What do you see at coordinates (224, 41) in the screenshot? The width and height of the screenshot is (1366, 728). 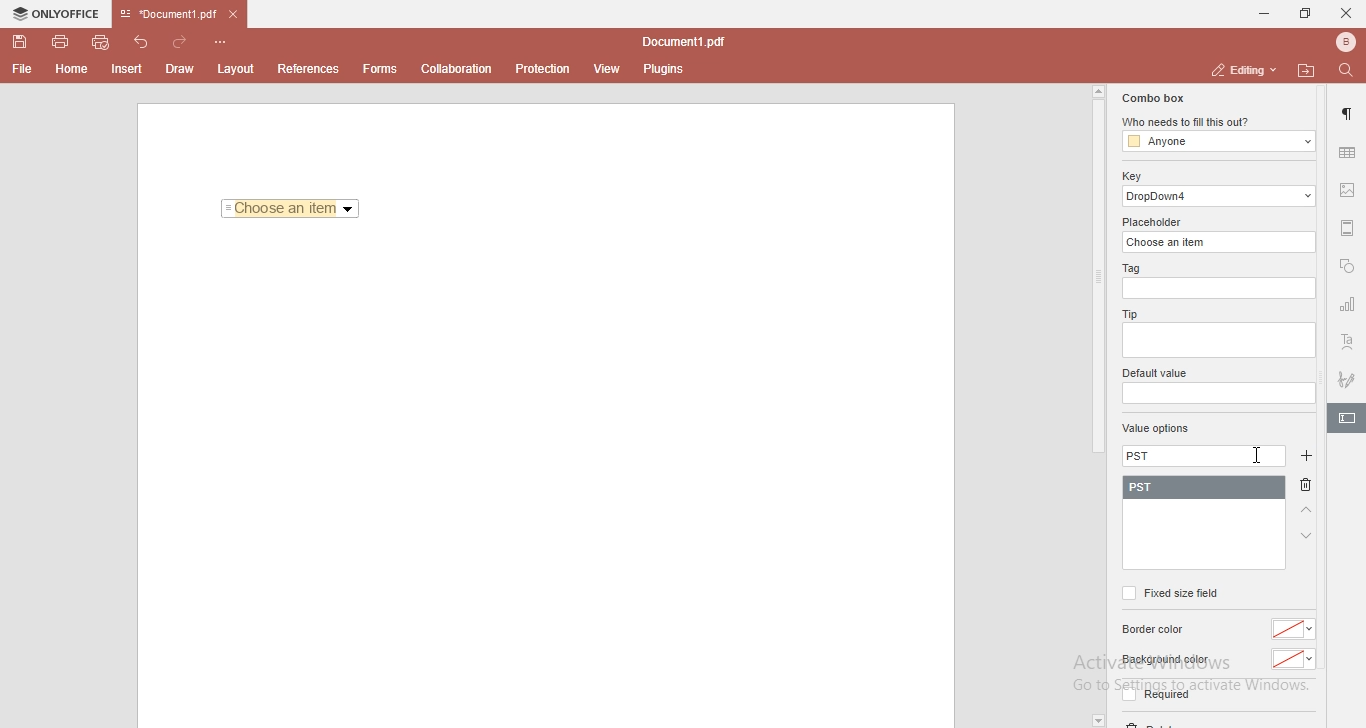 I see `customise quick access toolbar` at bounding box center [224, 41].